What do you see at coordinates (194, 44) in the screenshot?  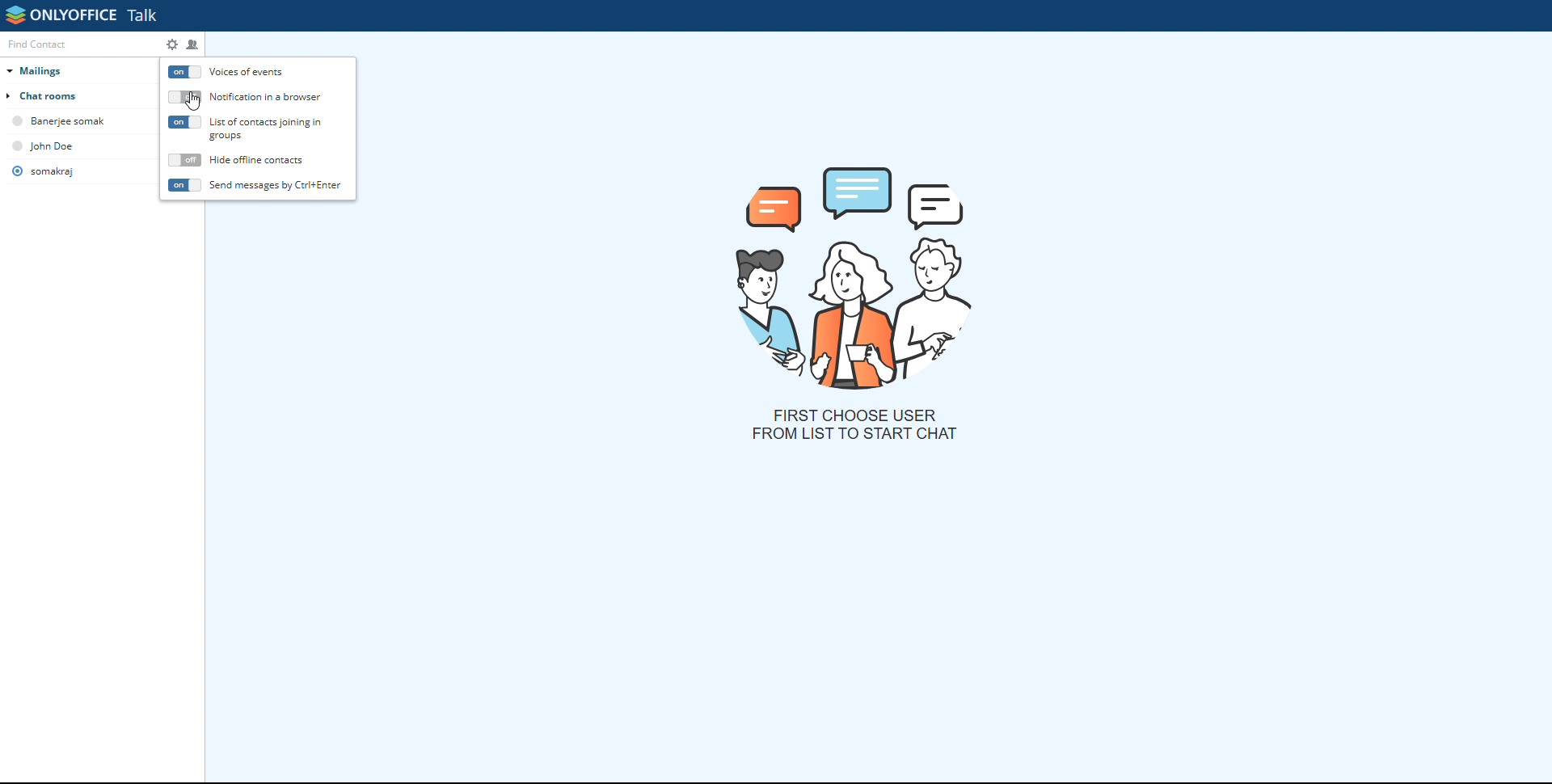 I see `create chatroom` at bounding box center [194, 44].